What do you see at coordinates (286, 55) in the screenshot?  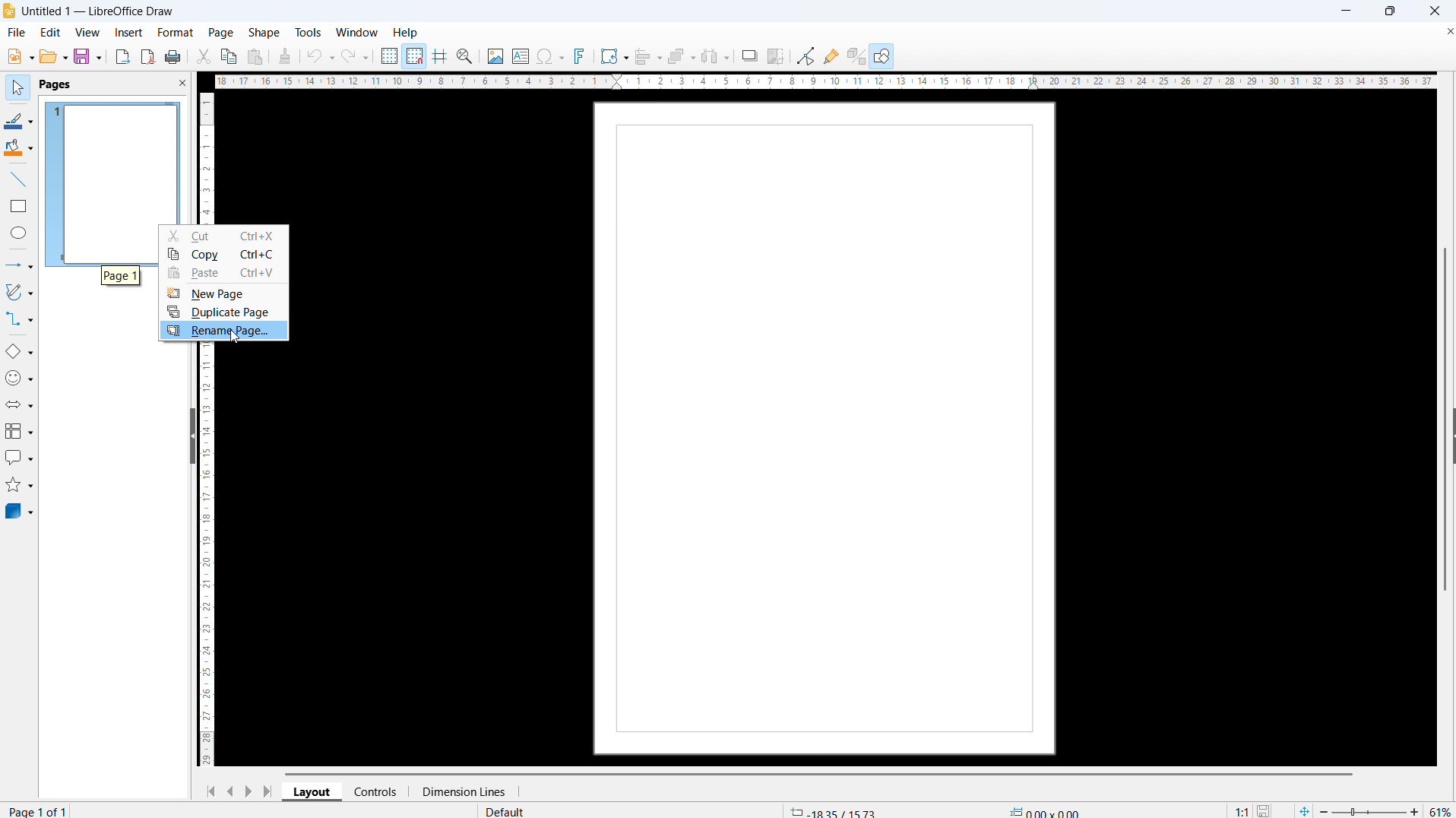 I see `clone formatting` at bounding box center [286, 55].